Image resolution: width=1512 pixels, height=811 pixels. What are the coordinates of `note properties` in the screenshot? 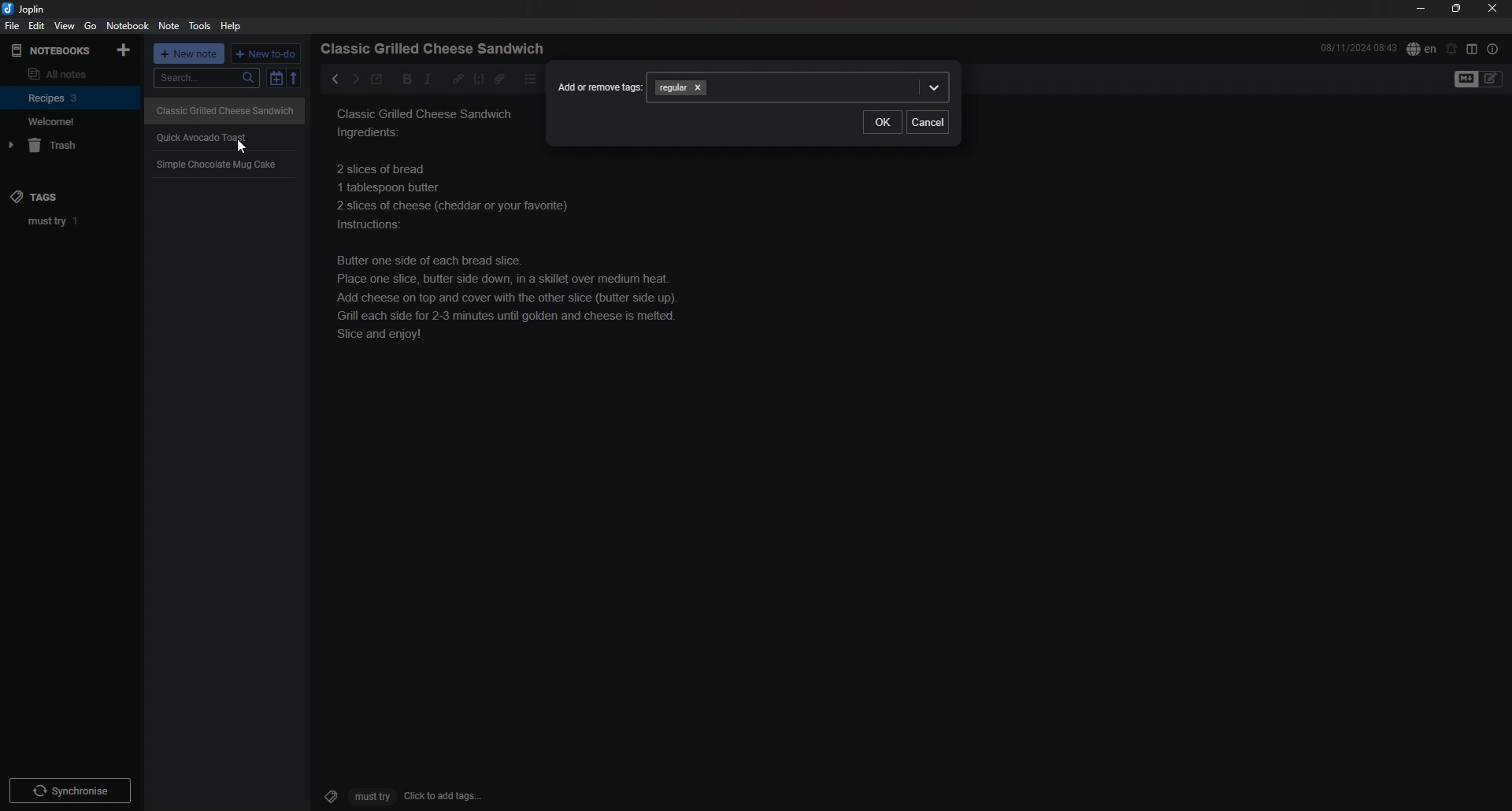 It's located at (1493, 49).